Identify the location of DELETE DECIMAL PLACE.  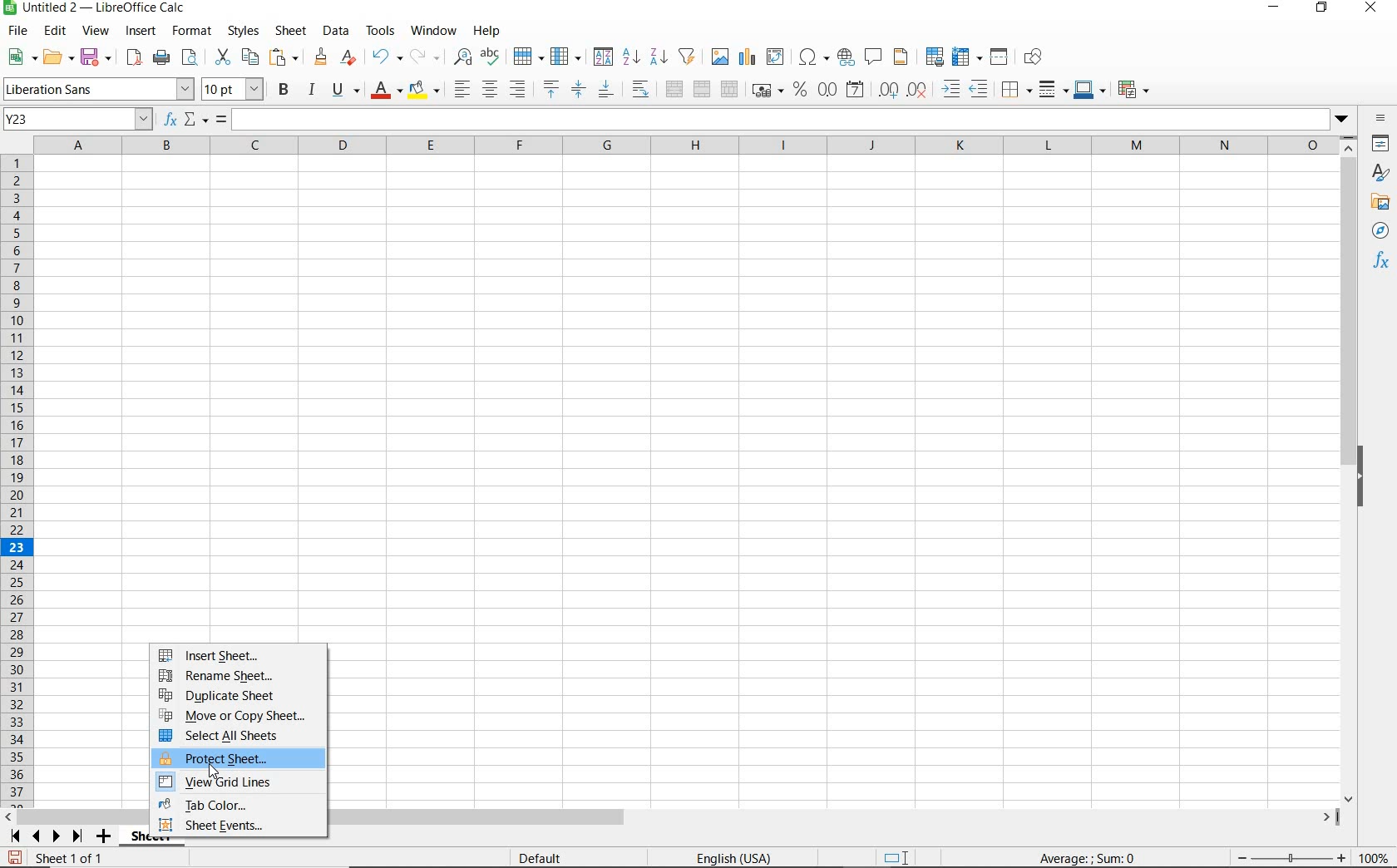
(917, 90).